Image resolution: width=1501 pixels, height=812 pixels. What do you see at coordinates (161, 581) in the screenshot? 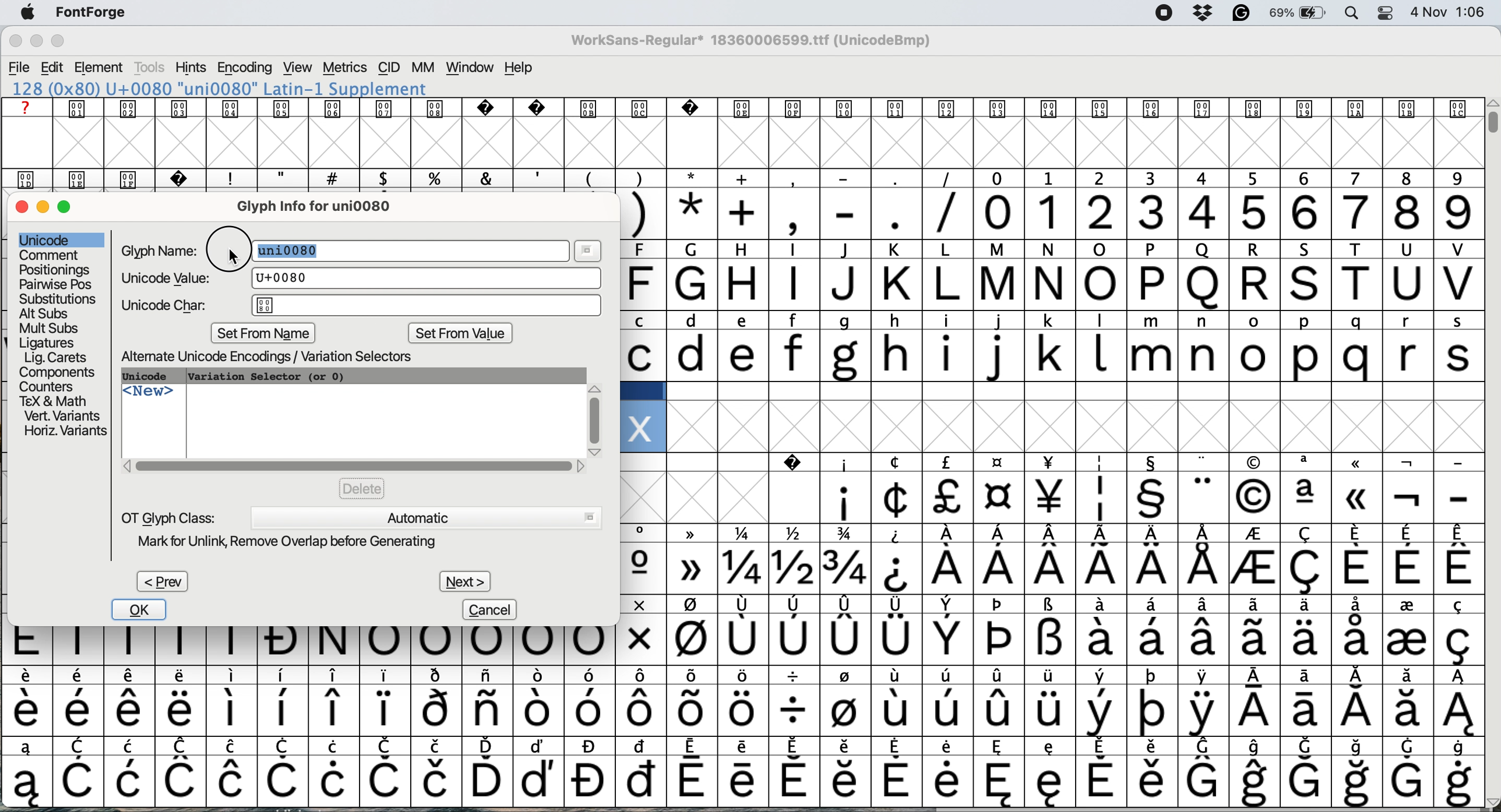
I see `prev` at bounding box center [161, 581].